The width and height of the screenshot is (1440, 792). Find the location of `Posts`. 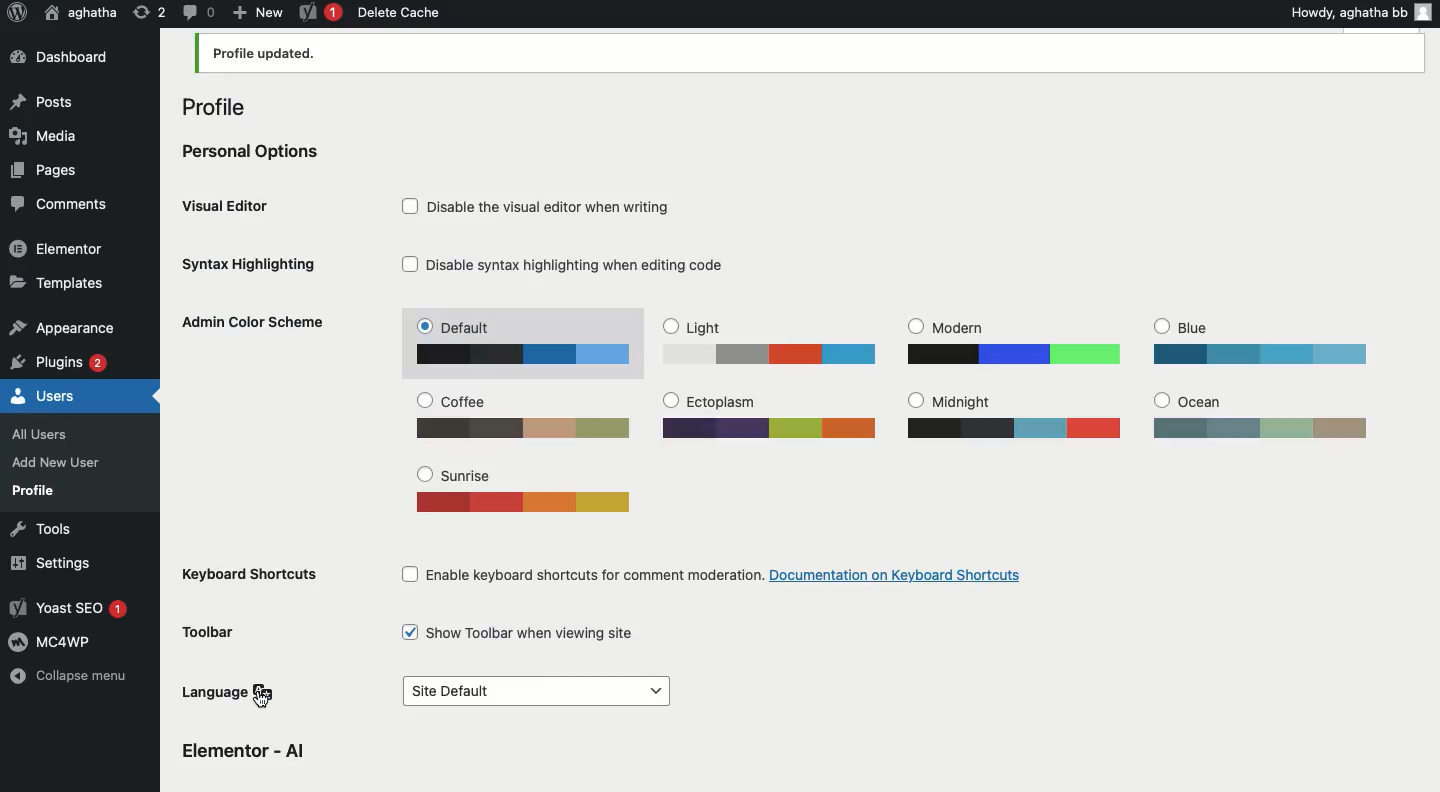

Posts is located at coordinates (43, 104).